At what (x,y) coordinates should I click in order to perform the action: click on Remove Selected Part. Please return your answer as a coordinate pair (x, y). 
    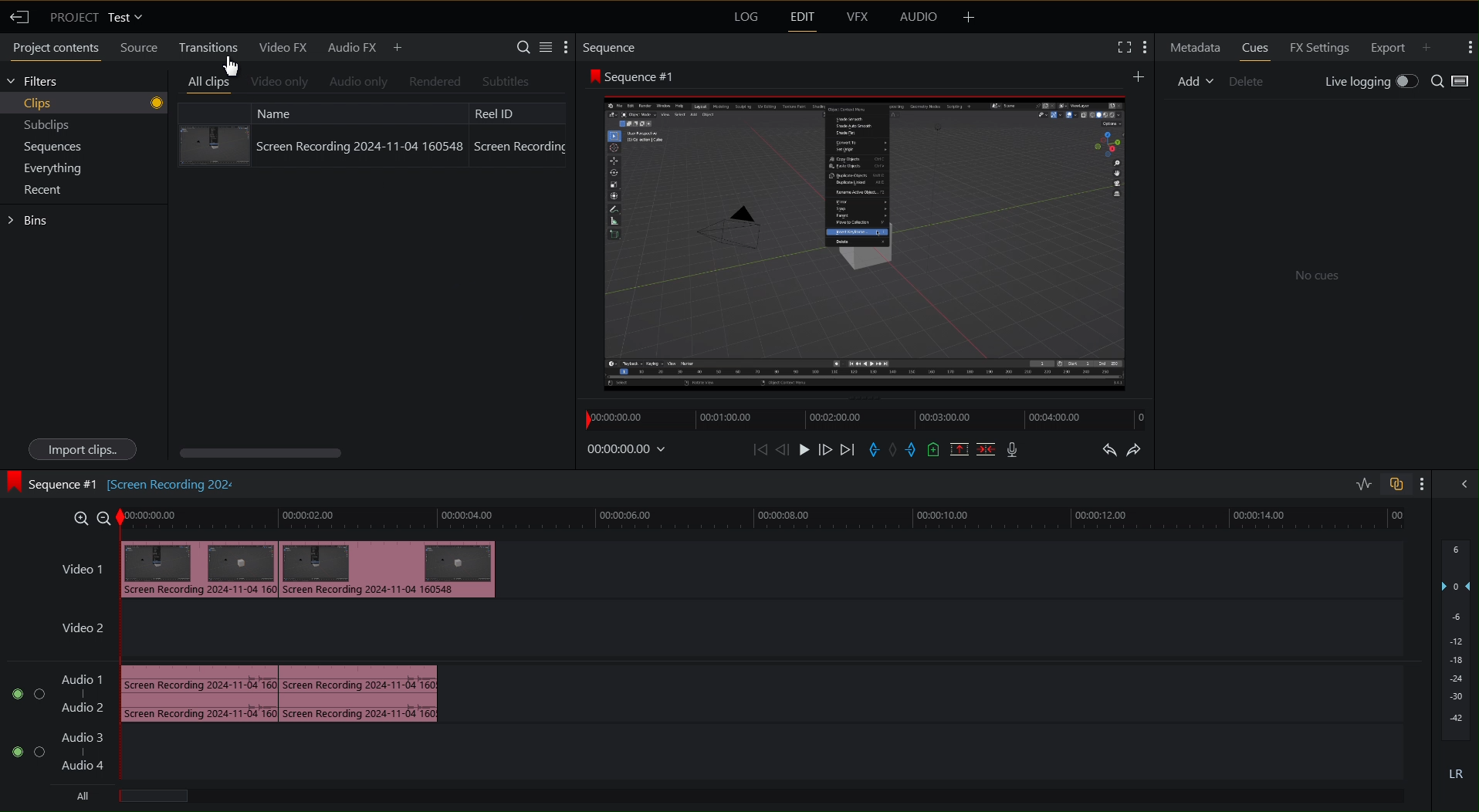
    Looking at the image, I should click on (960, 449).